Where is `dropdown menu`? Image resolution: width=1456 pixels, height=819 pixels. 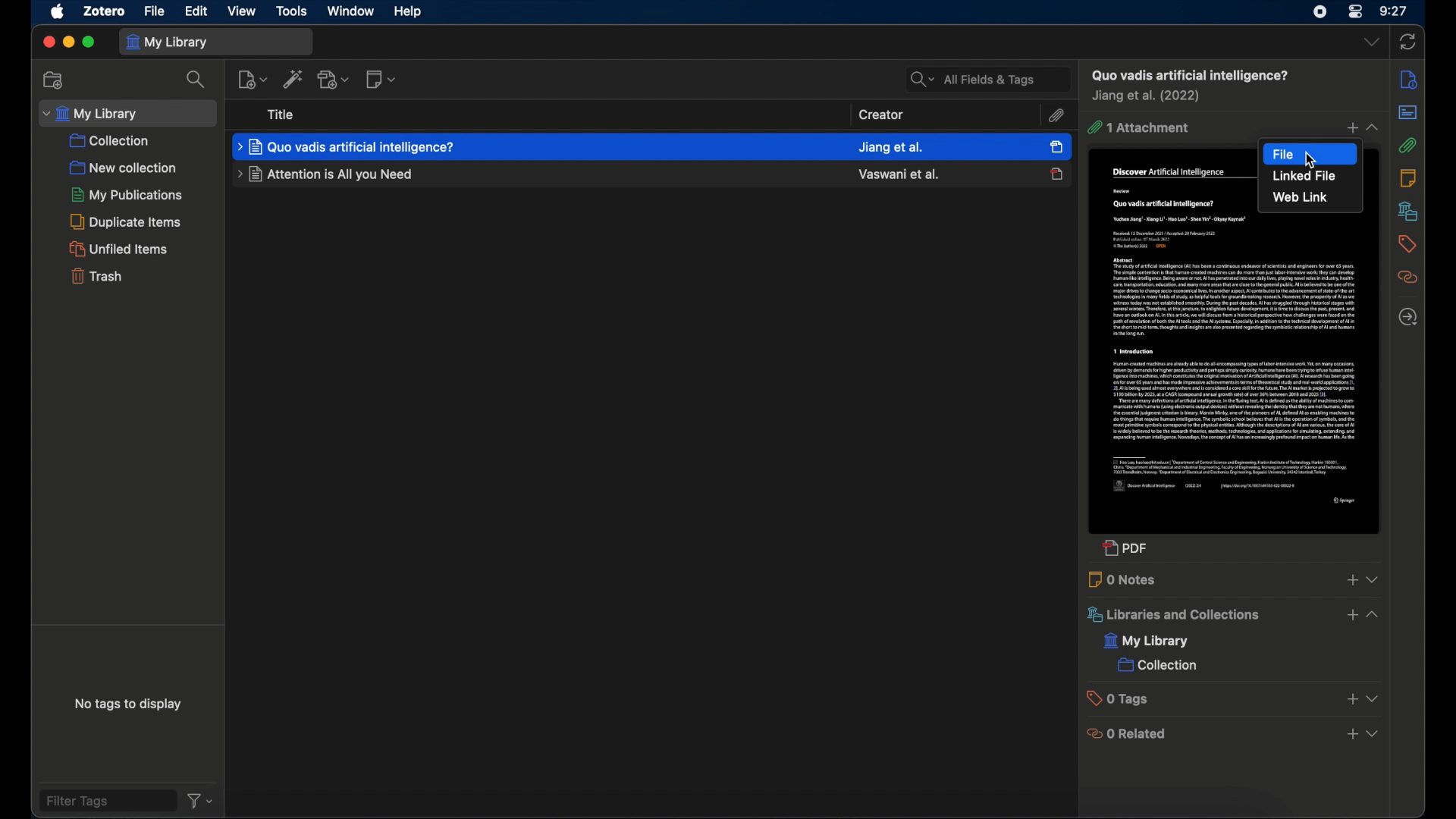 dropdown menu is located at coordinates (1371, 42).